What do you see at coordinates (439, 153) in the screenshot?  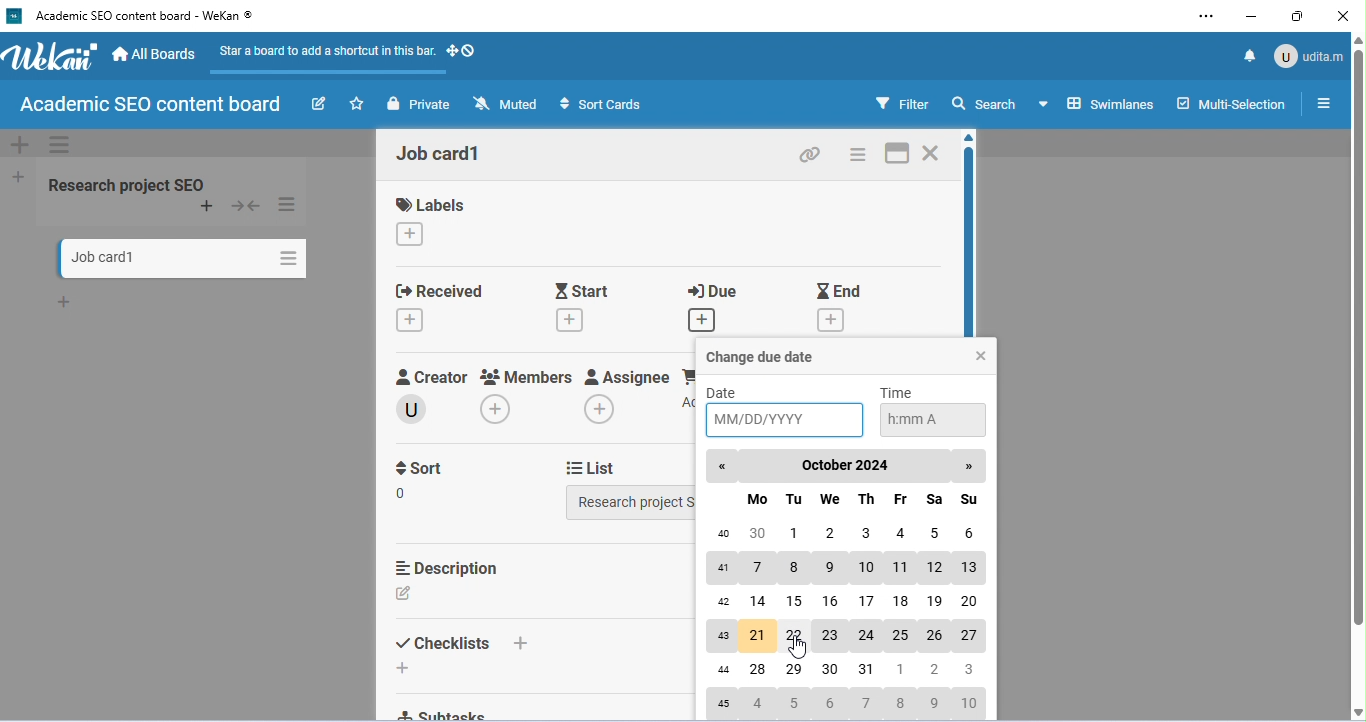 I see `card name` at bounding box center [439, 153].